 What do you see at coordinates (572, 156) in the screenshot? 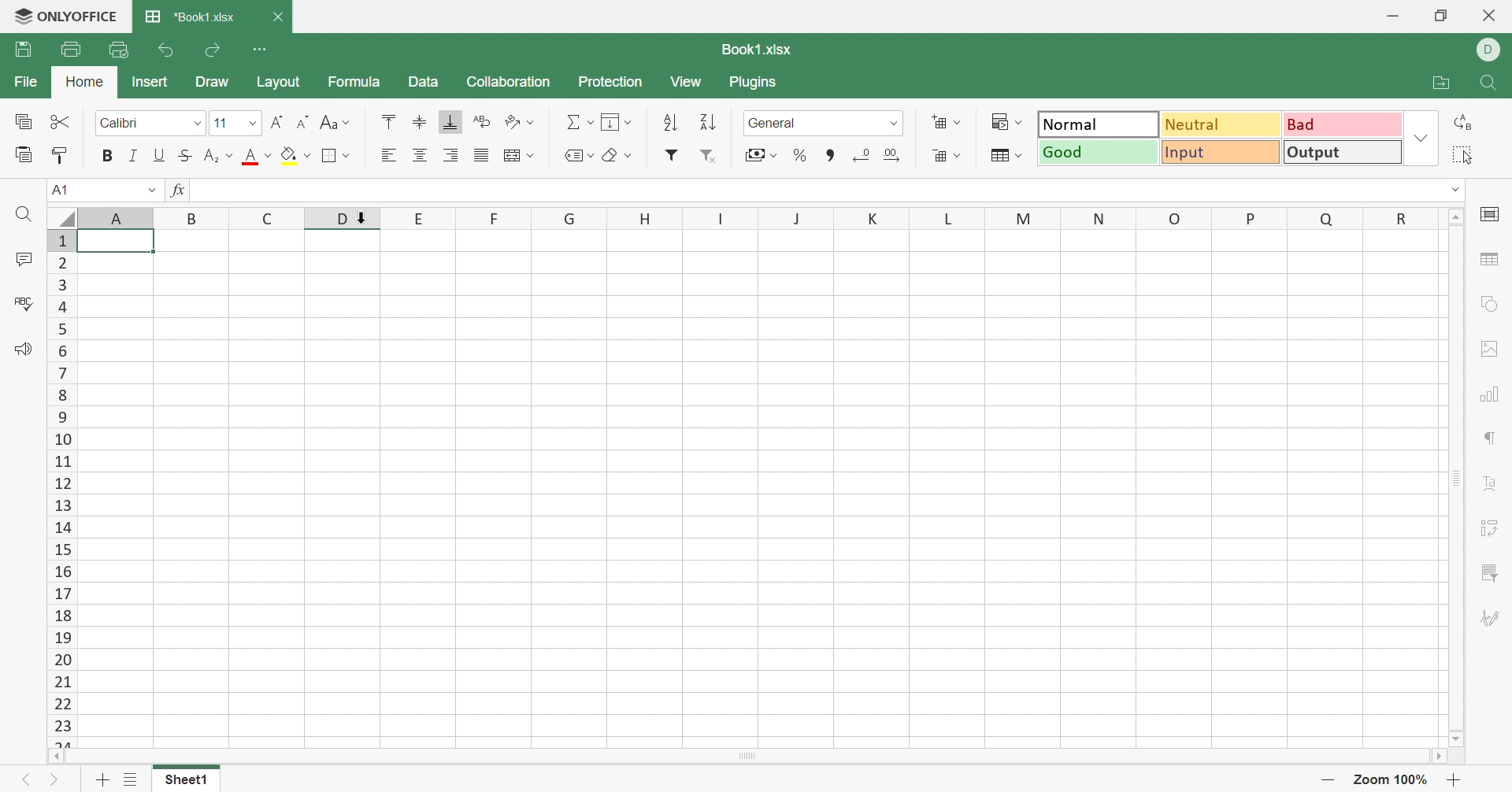
I see `Named ranges` at bounding box center [572, 156].